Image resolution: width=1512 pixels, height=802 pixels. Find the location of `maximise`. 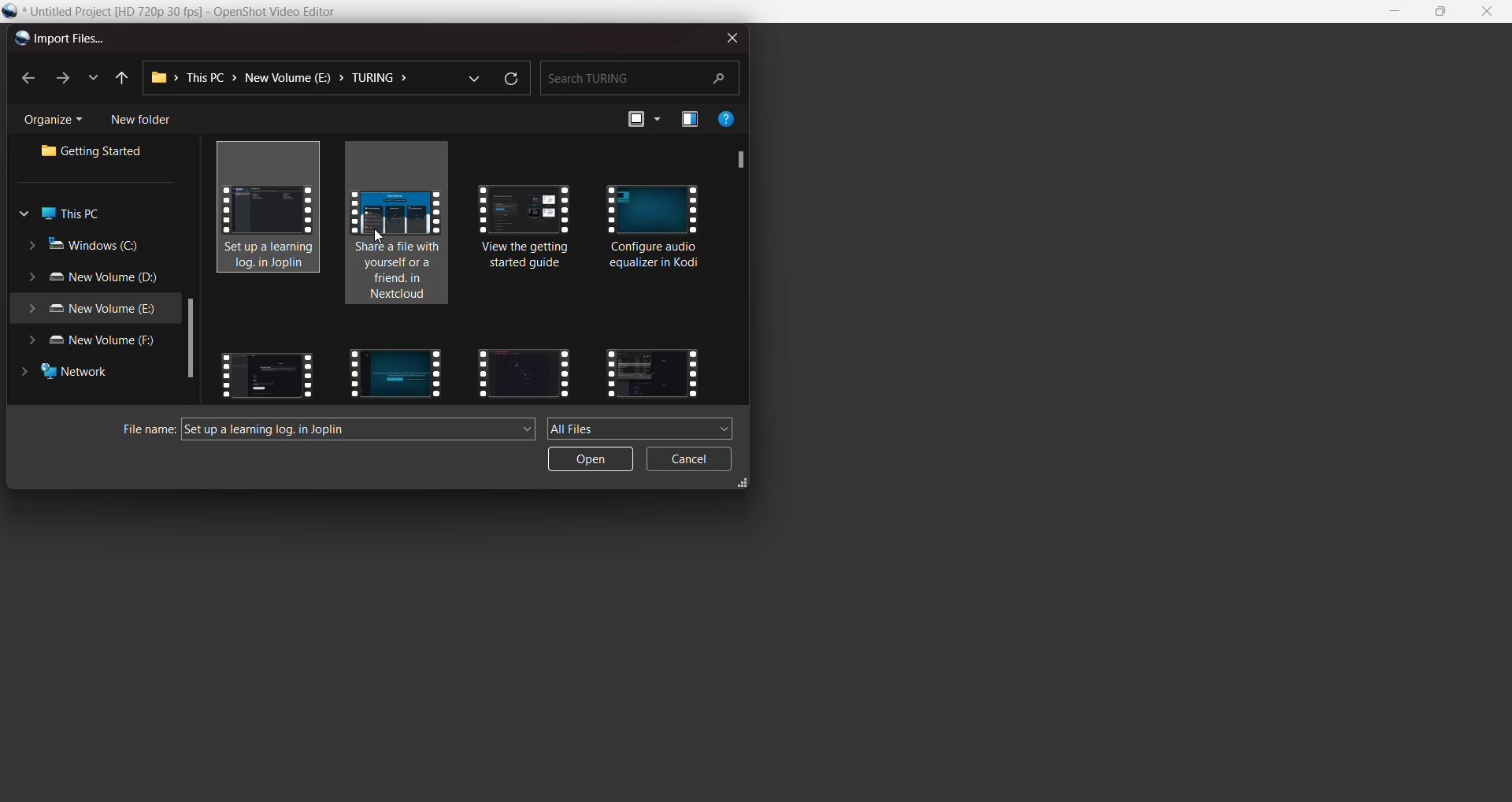

maximise is located at coordinates (1443, 13).